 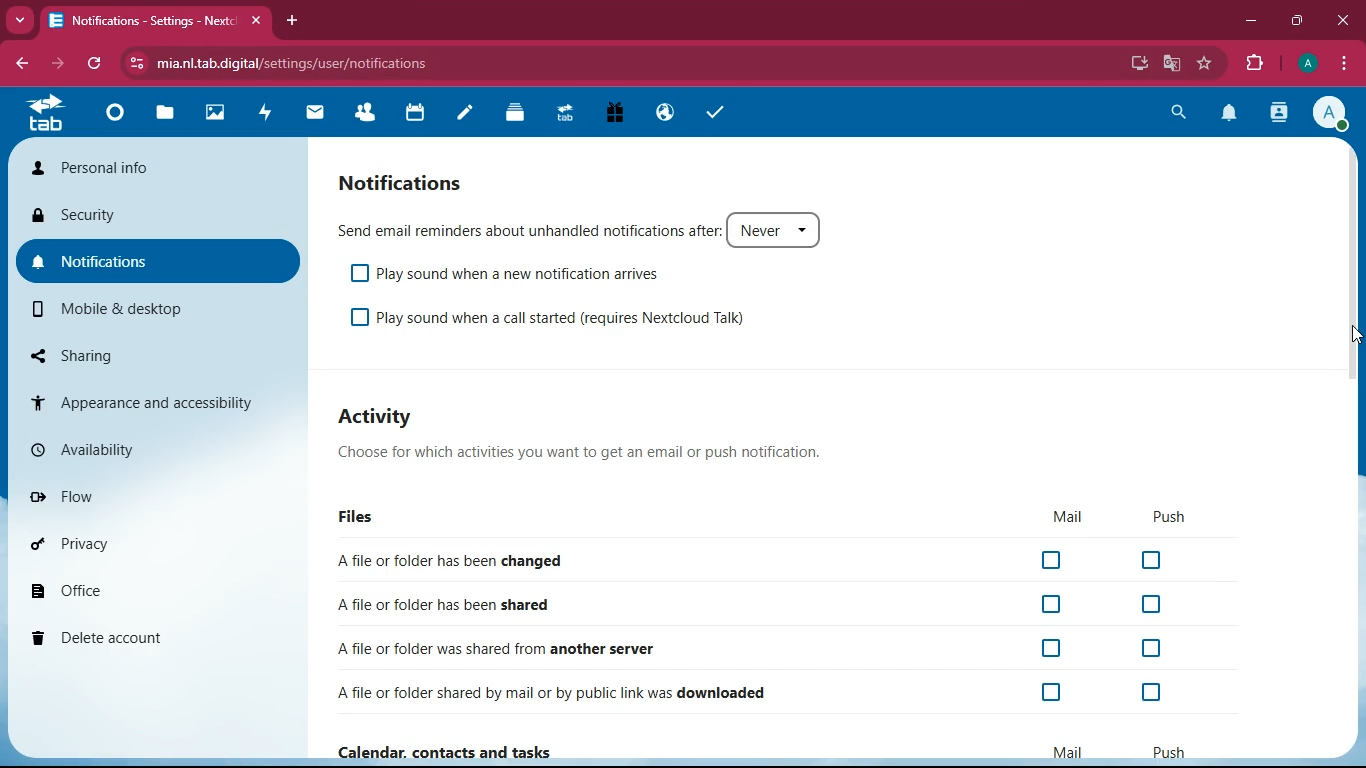 What do you see at coordinates (527, 275) in the screenshot?
I see `play sound whan a new notification arrives` at bounding box center [527, 275].